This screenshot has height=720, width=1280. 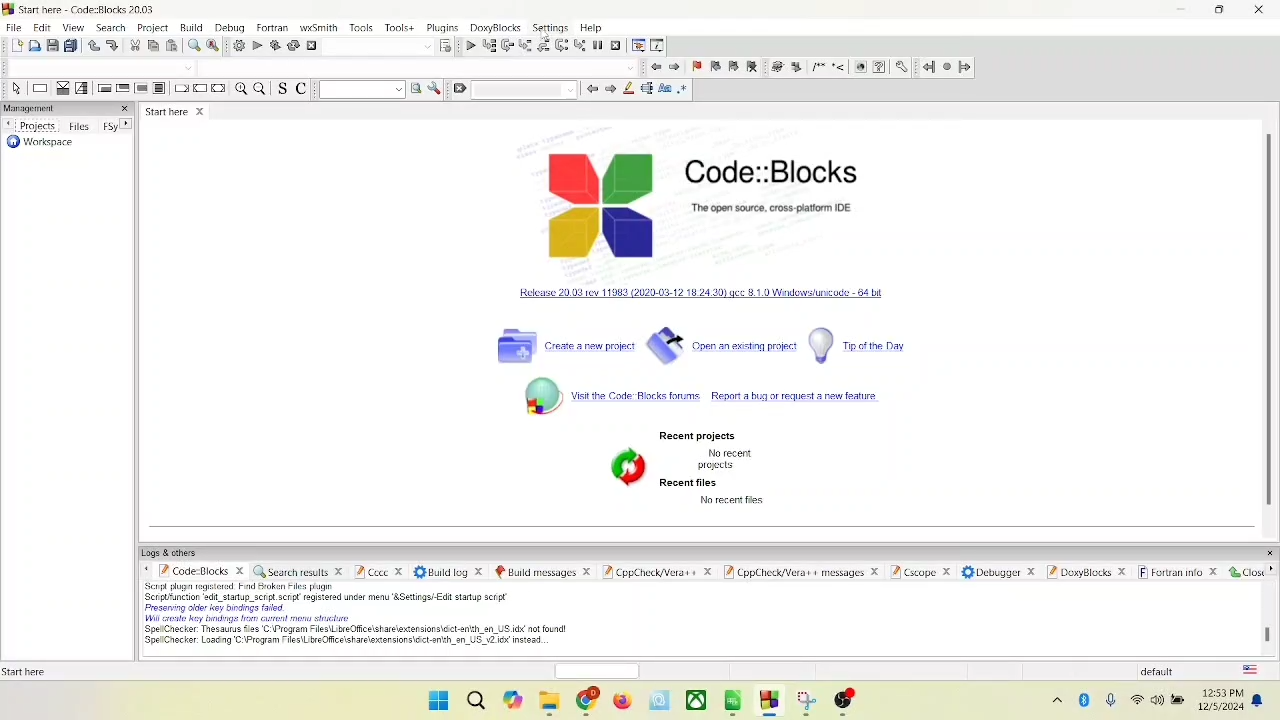 What do you see at coordinates (124, 110) in the screenshot?
I see `close` at bounding box center [124, 110].